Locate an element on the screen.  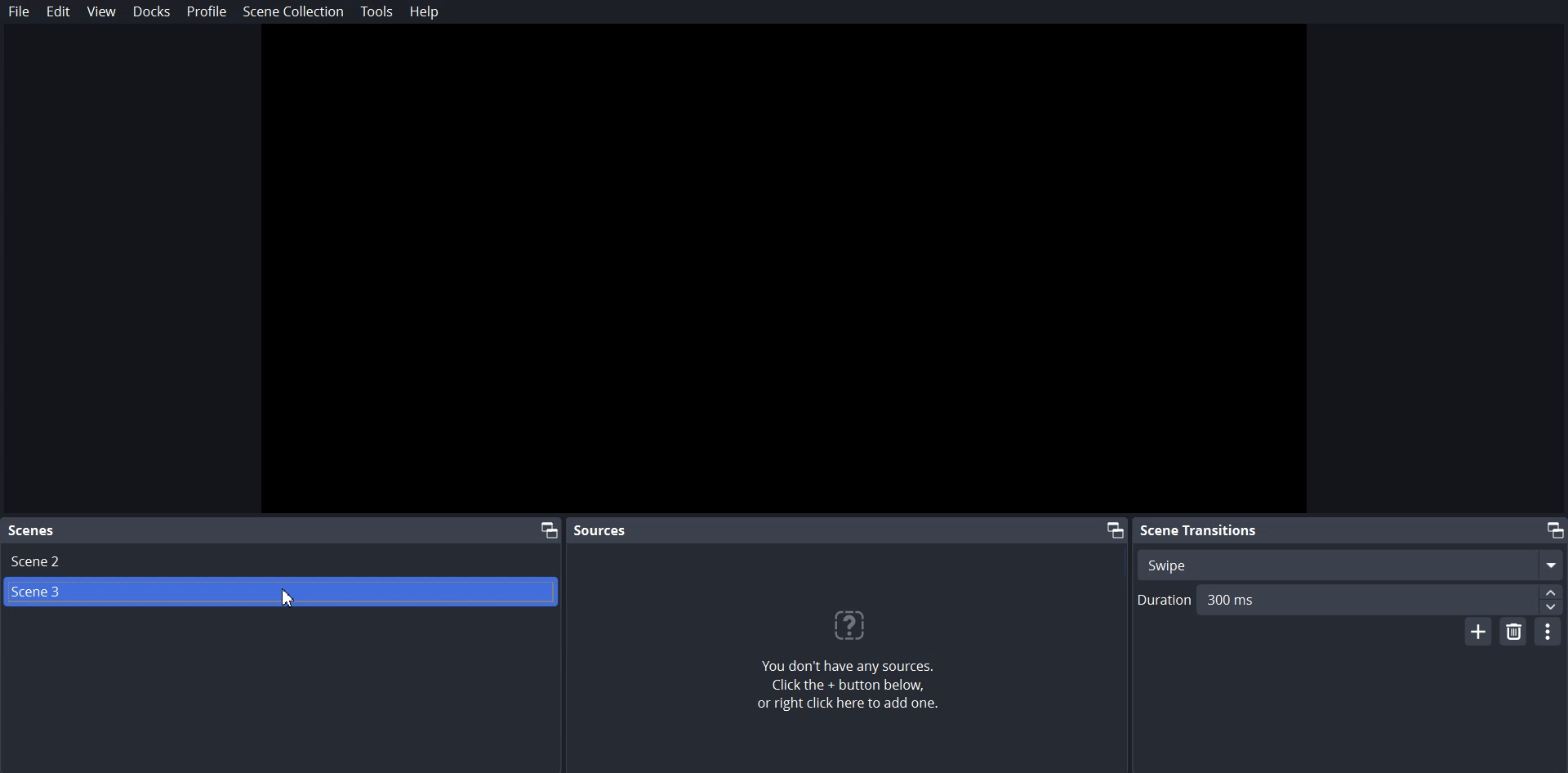
Scene Collection is located at coordinates (293, 11).